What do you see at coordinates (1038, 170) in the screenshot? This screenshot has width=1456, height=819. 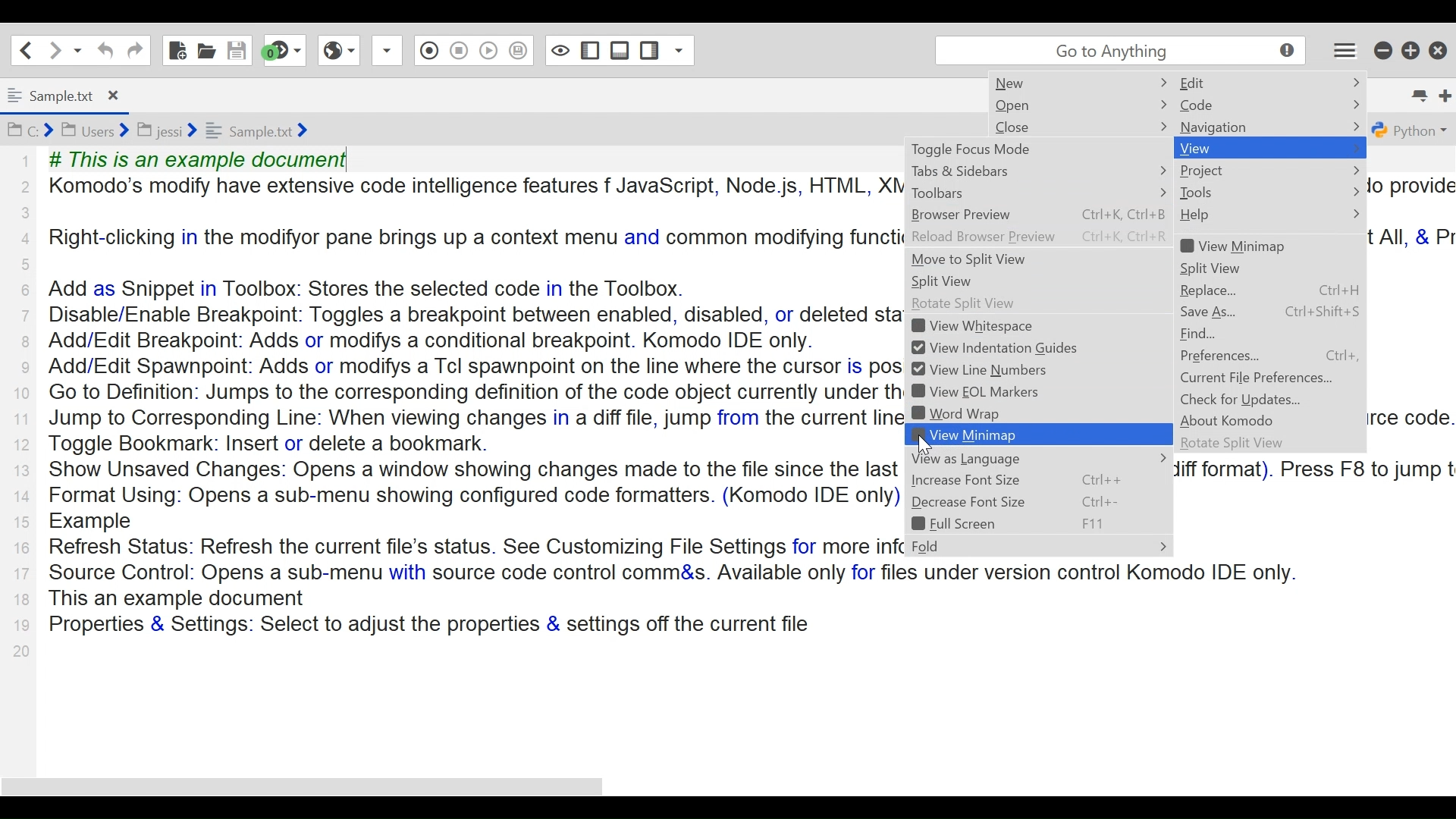 I see `Tabs and Sidebar` at bounding box center [1038, 170].